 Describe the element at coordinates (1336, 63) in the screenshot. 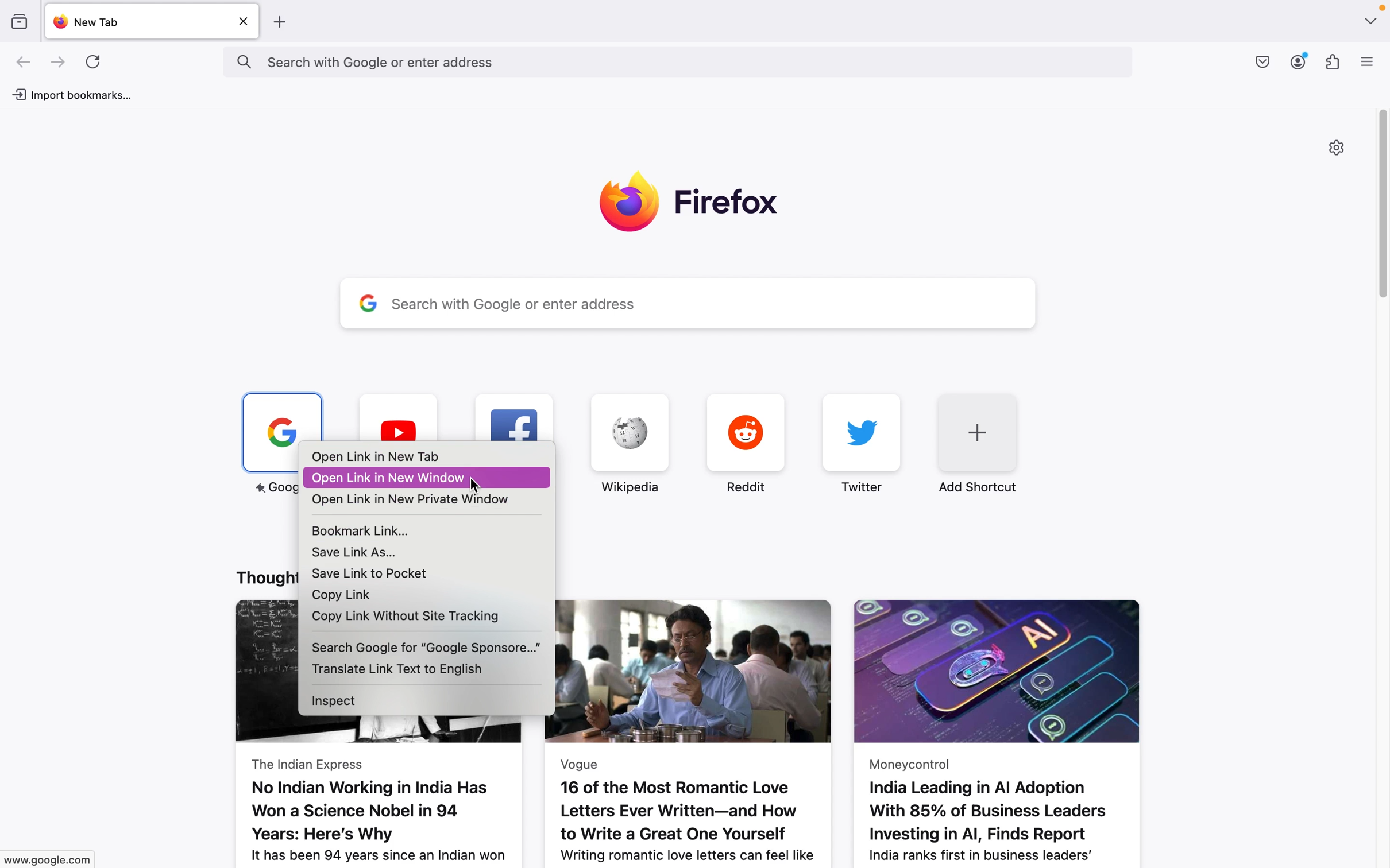

I see `add ons/extensions` at that location.